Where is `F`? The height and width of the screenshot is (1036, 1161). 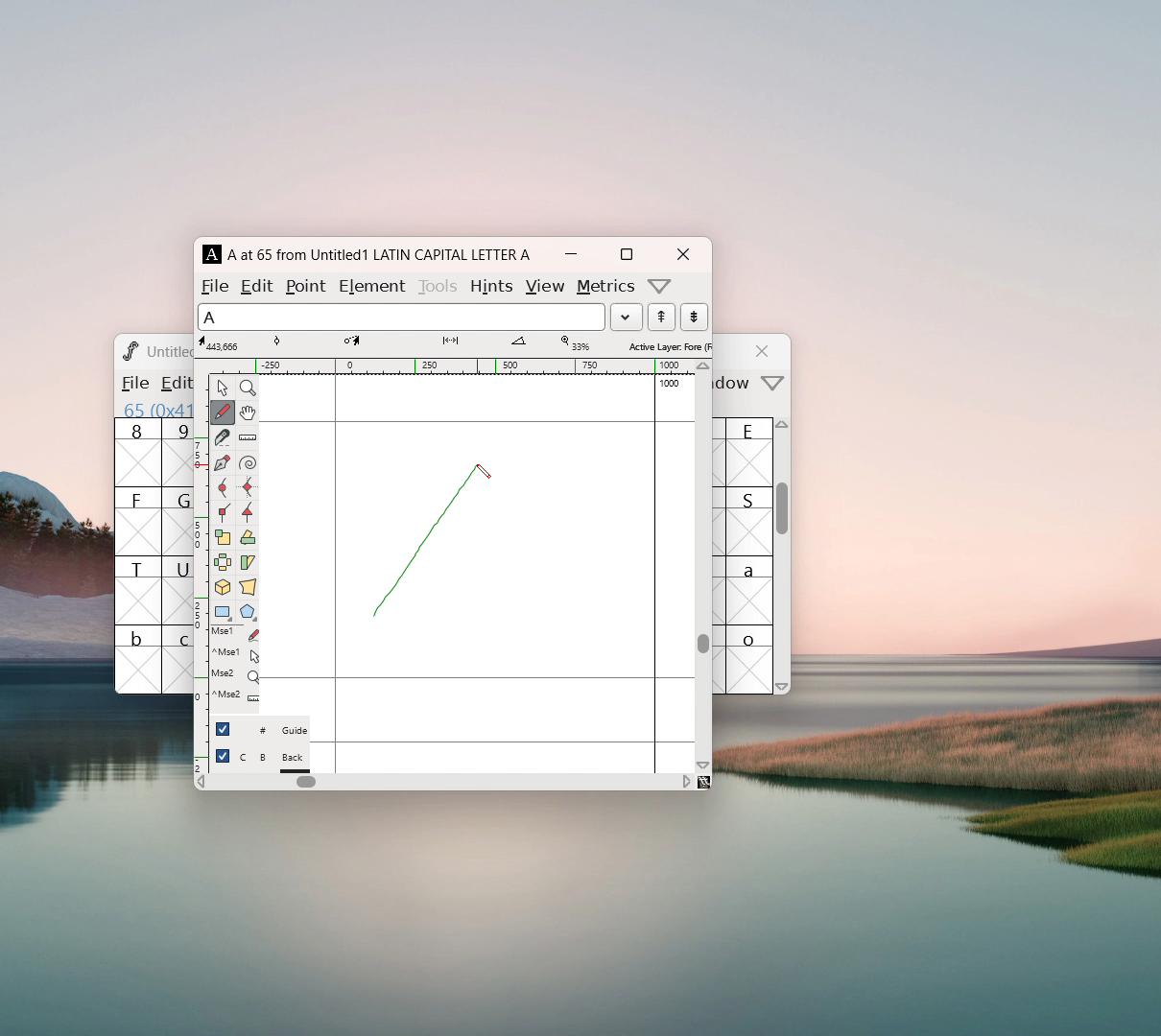
F is located at coordinates (138, 521).